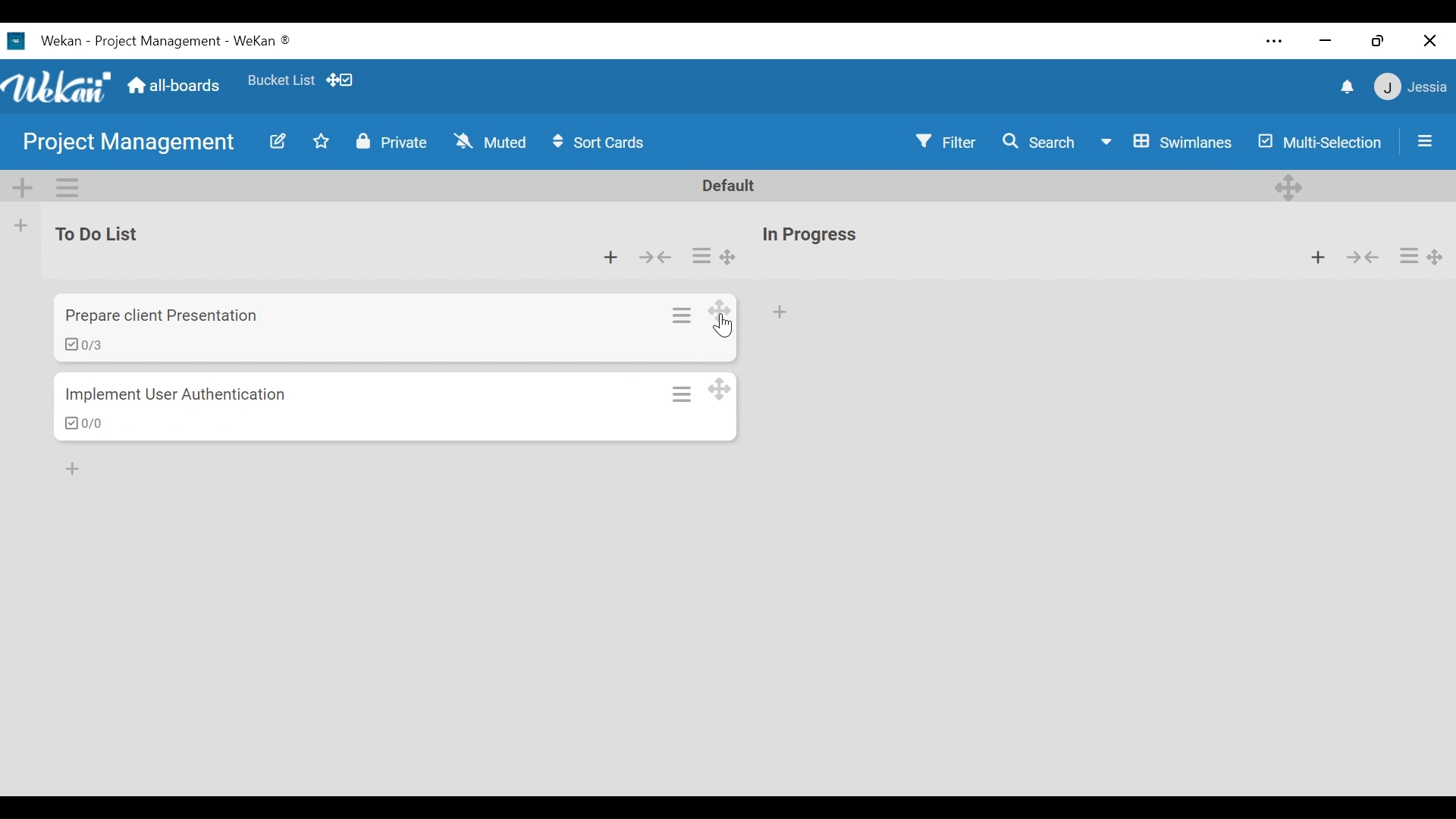 The width and height of the screenshot is (1456, 819). I want to click on Multi-Selection, so click(1317, 142).